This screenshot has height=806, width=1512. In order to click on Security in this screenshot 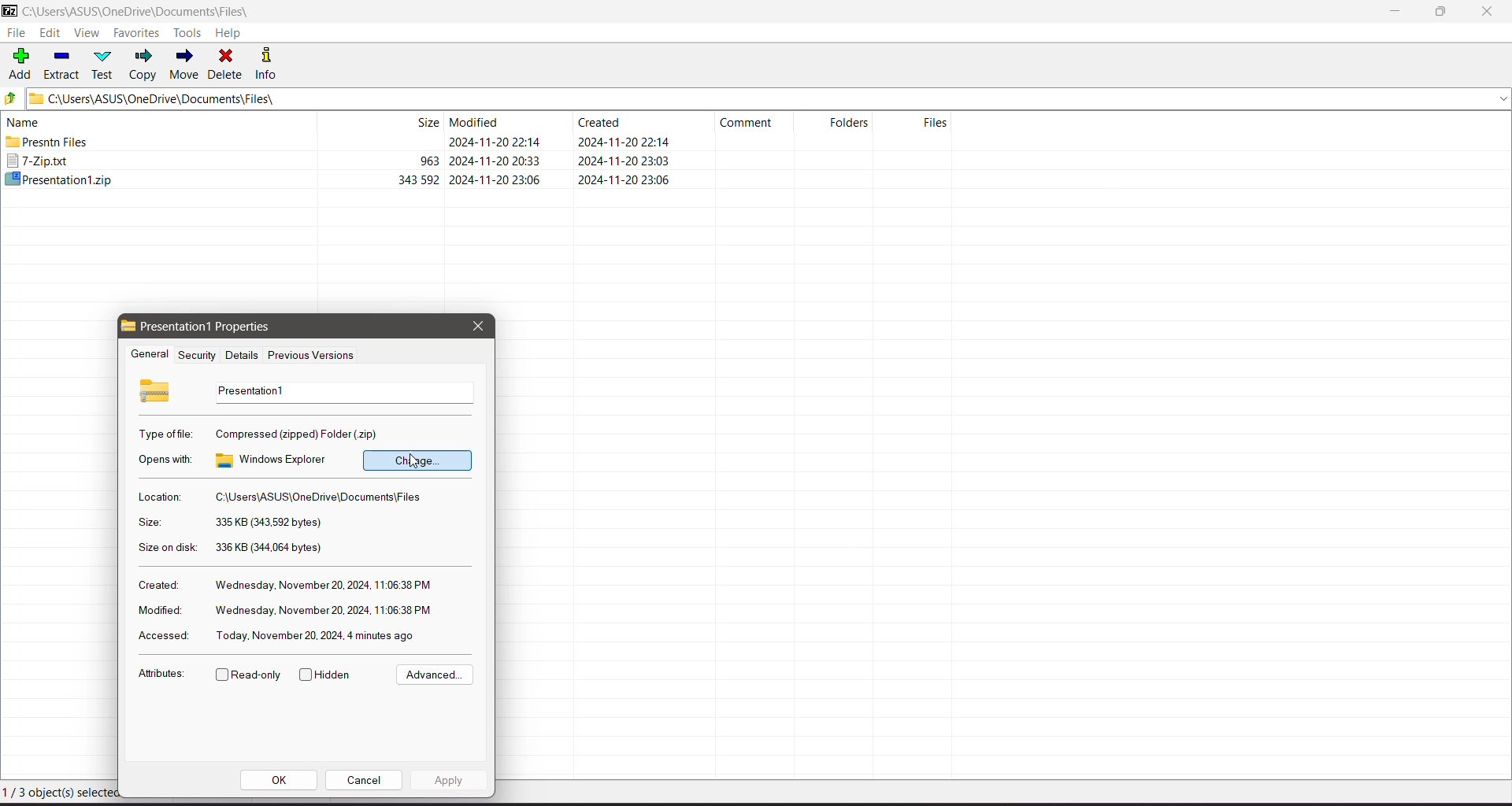, I will do `click(195, 355)`.